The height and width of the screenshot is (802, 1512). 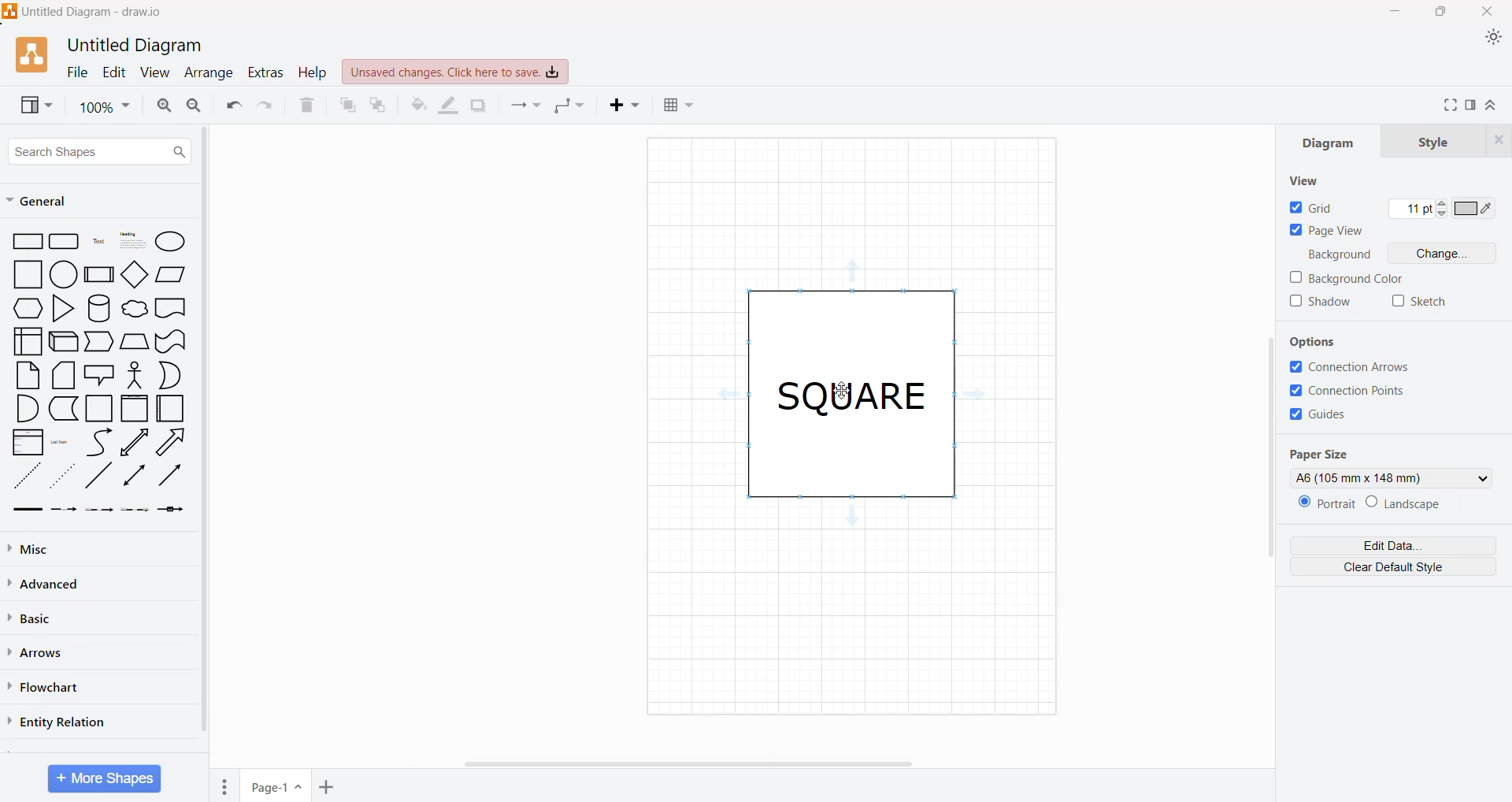 What do you see at coordinates (1374, 504) in the screenshot?
I see `Set the Orientation of the page - Portrait or Landscape` at bounding box center [1374, 504].